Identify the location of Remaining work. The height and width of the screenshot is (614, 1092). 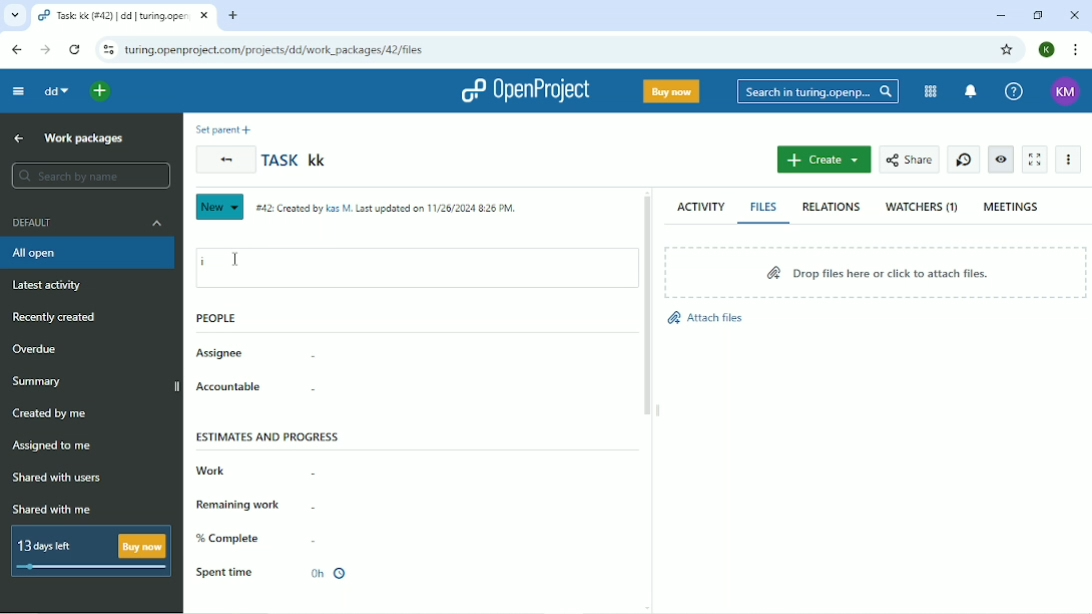
(256, 506).